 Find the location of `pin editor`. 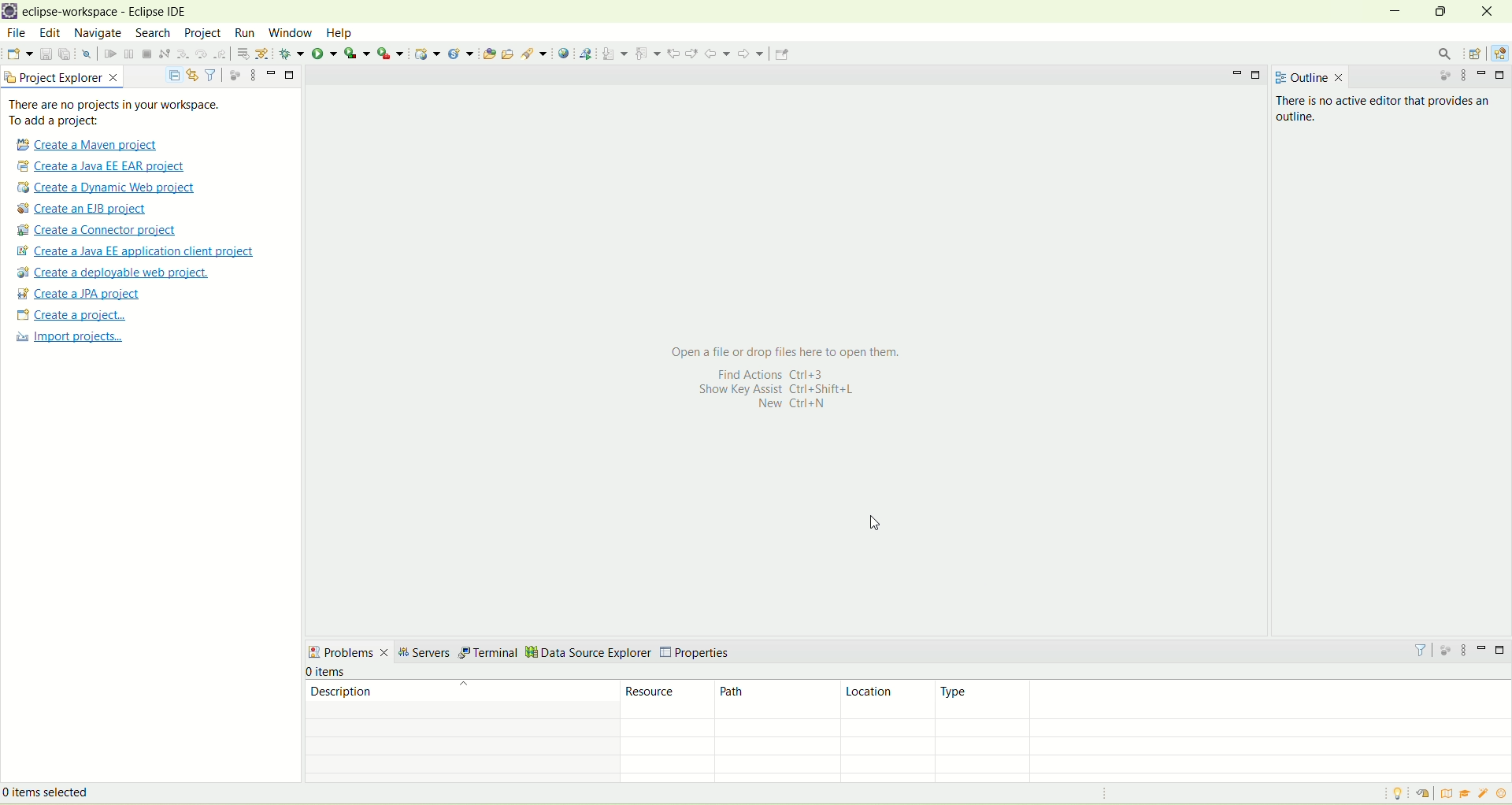

pin editor is located at coordinates (843, 56).